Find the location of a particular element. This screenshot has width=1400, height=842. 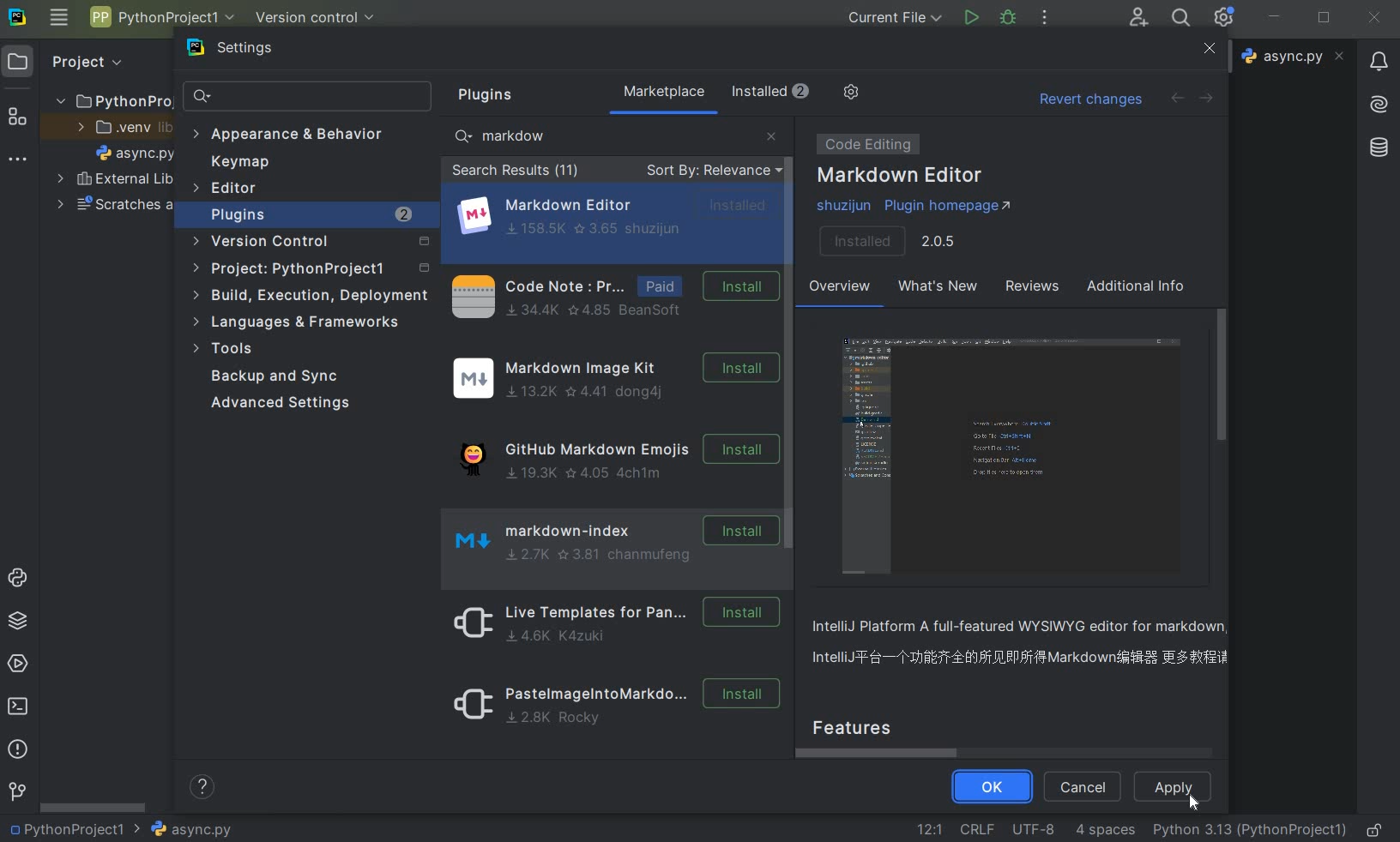

settings is located at coordinates (246, 51).